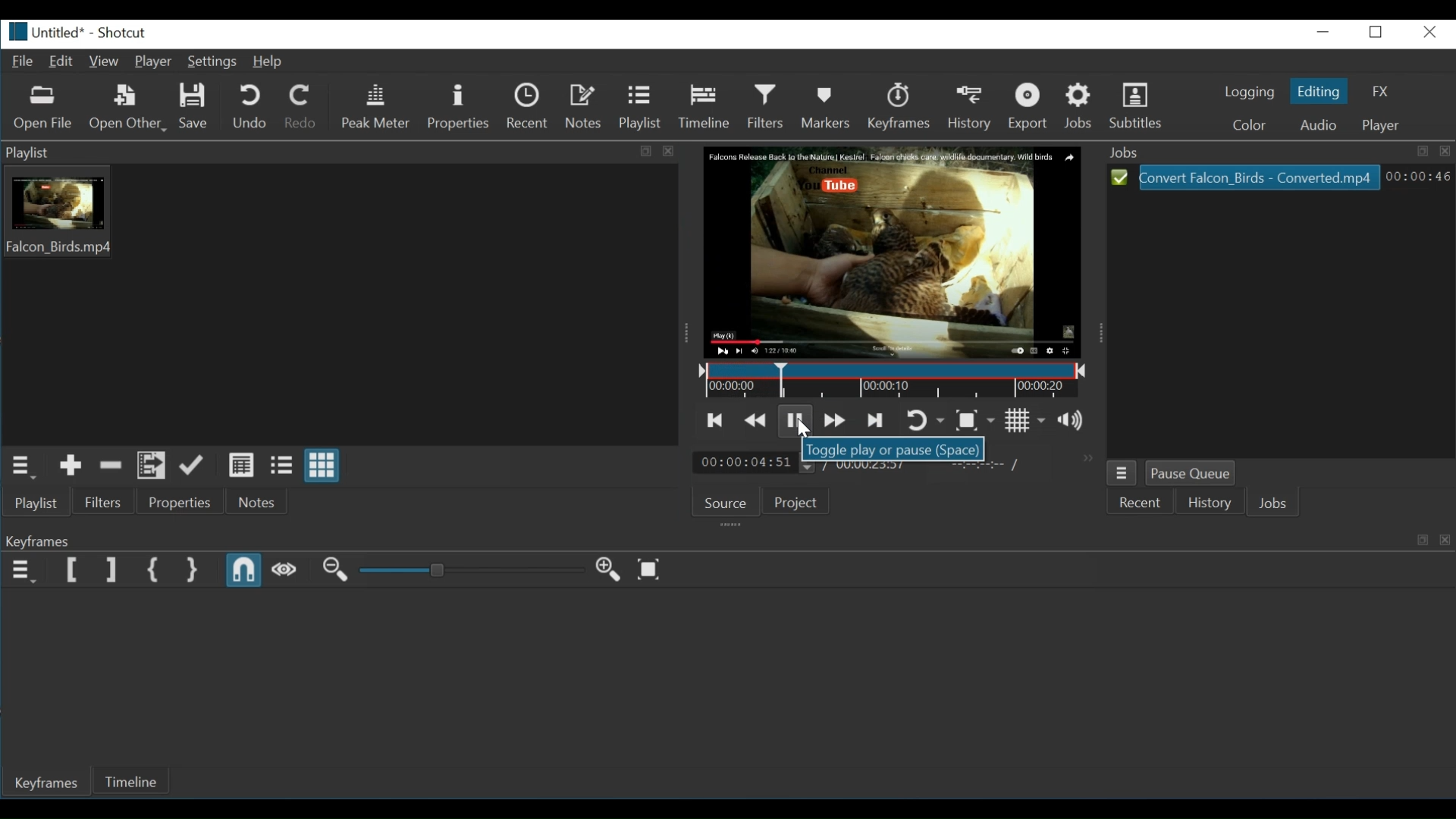  Describe the element at coordinates (148, 466) in the screenshot. I see `Add files to the playlist` at that location.